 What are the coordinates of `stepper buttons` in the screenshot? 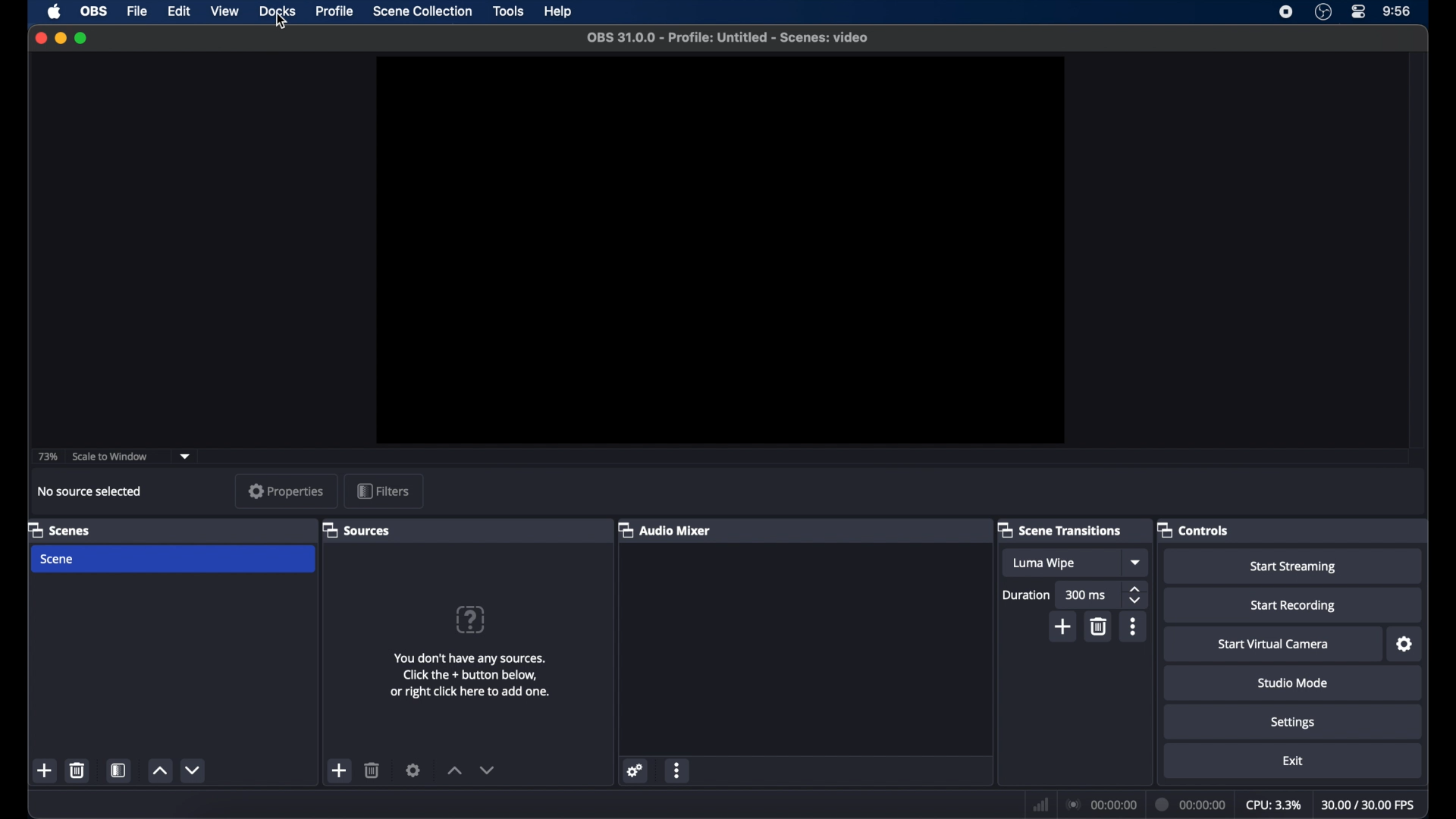 It's located at (1134, 595).